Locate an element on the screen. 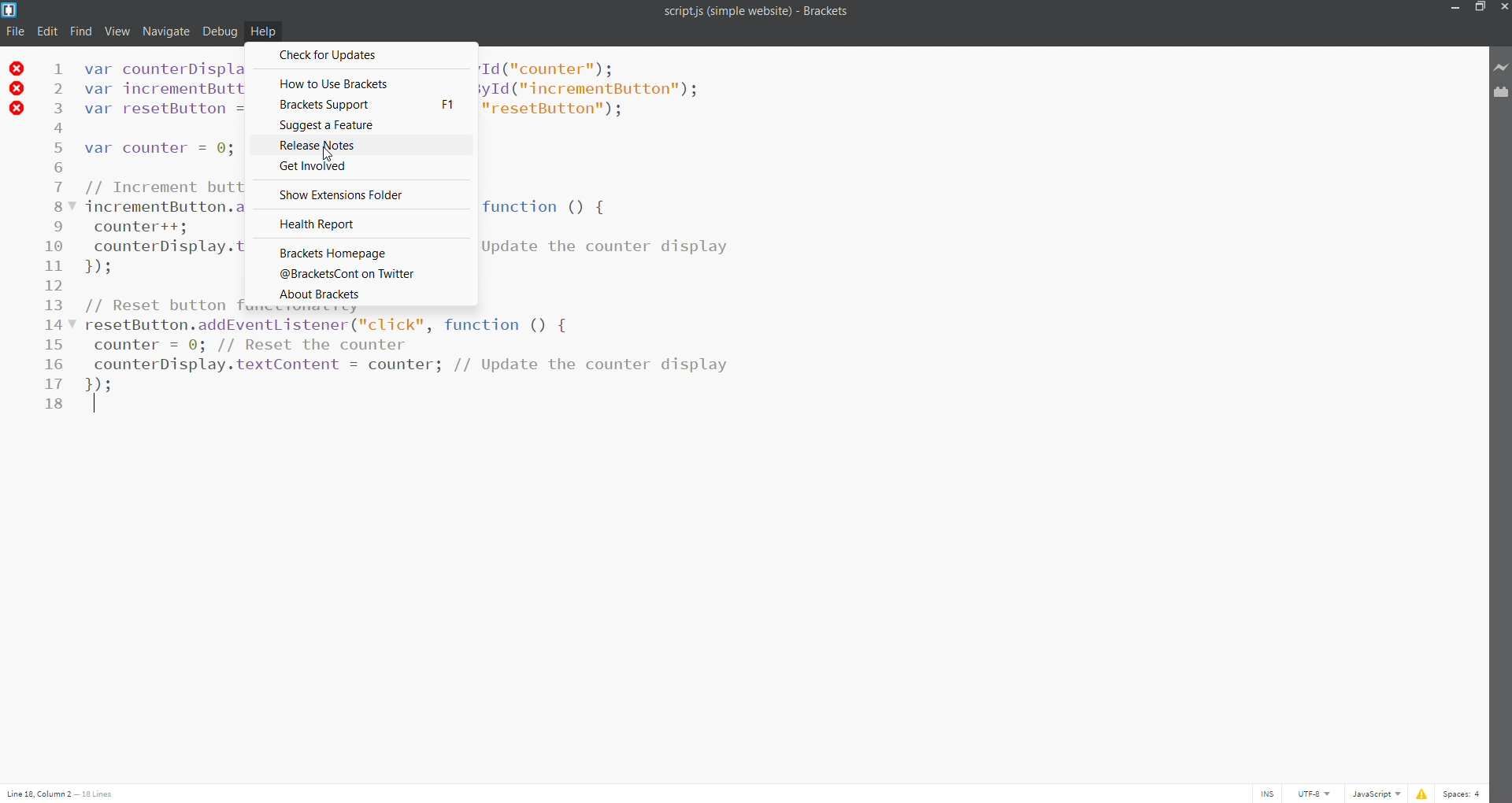  health report is located at coordinates (361, 222).